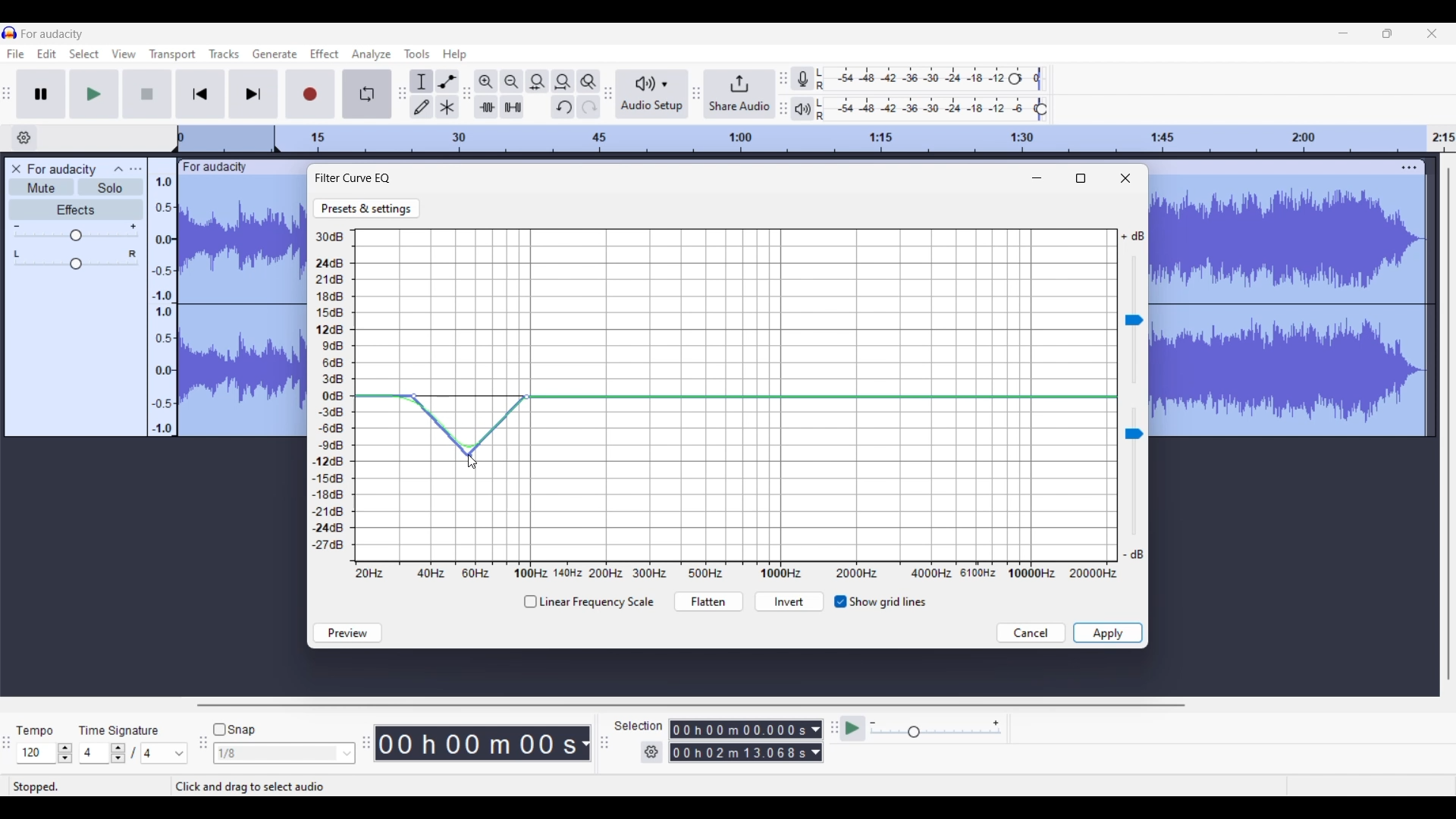  Describe the element at coordinates (17, 226) in the screenshot. I see `Min. gain` at that location.